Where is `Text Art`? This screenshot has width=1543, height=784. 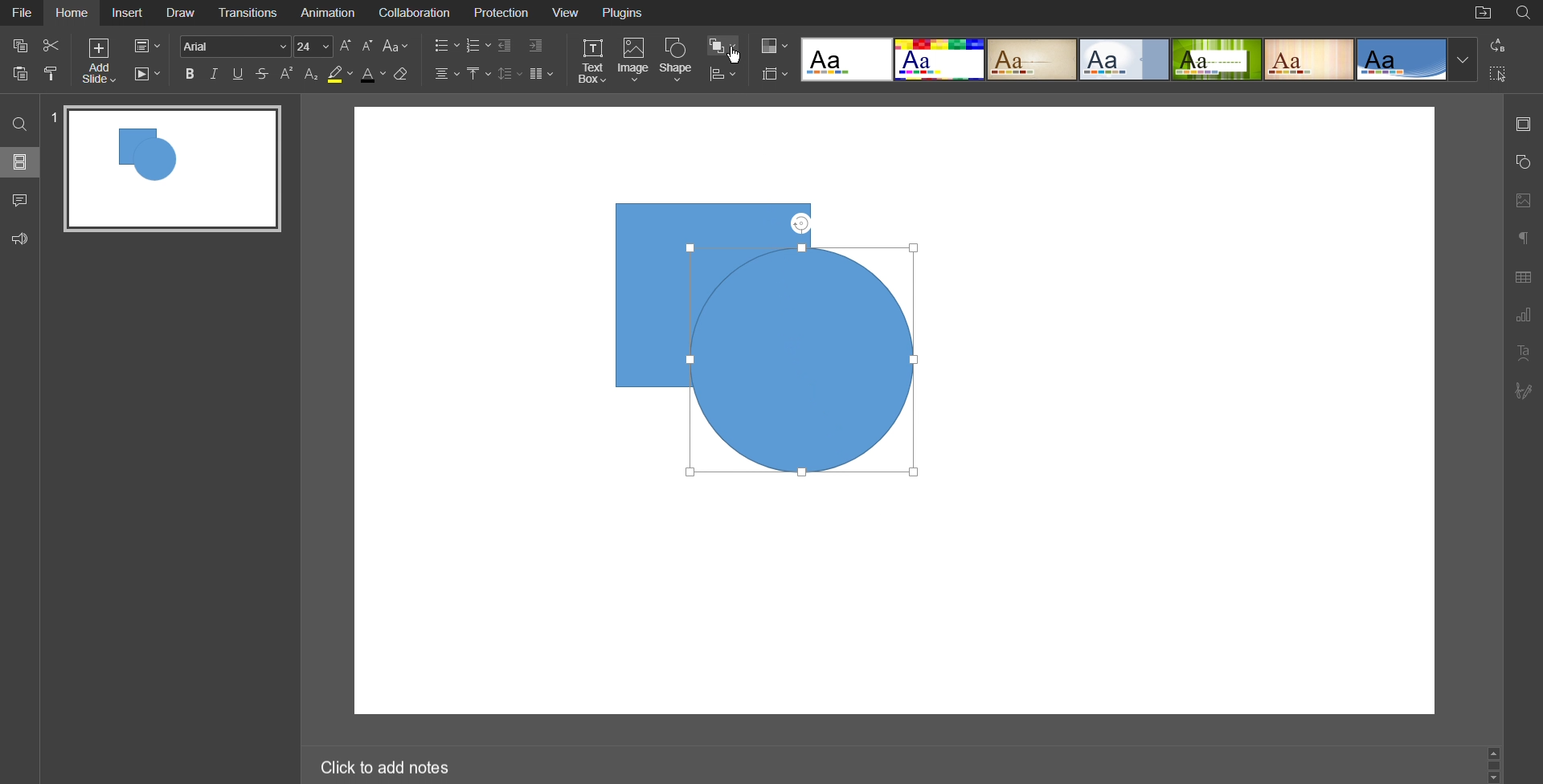
Text Art is located at coordinates (1523, 354).